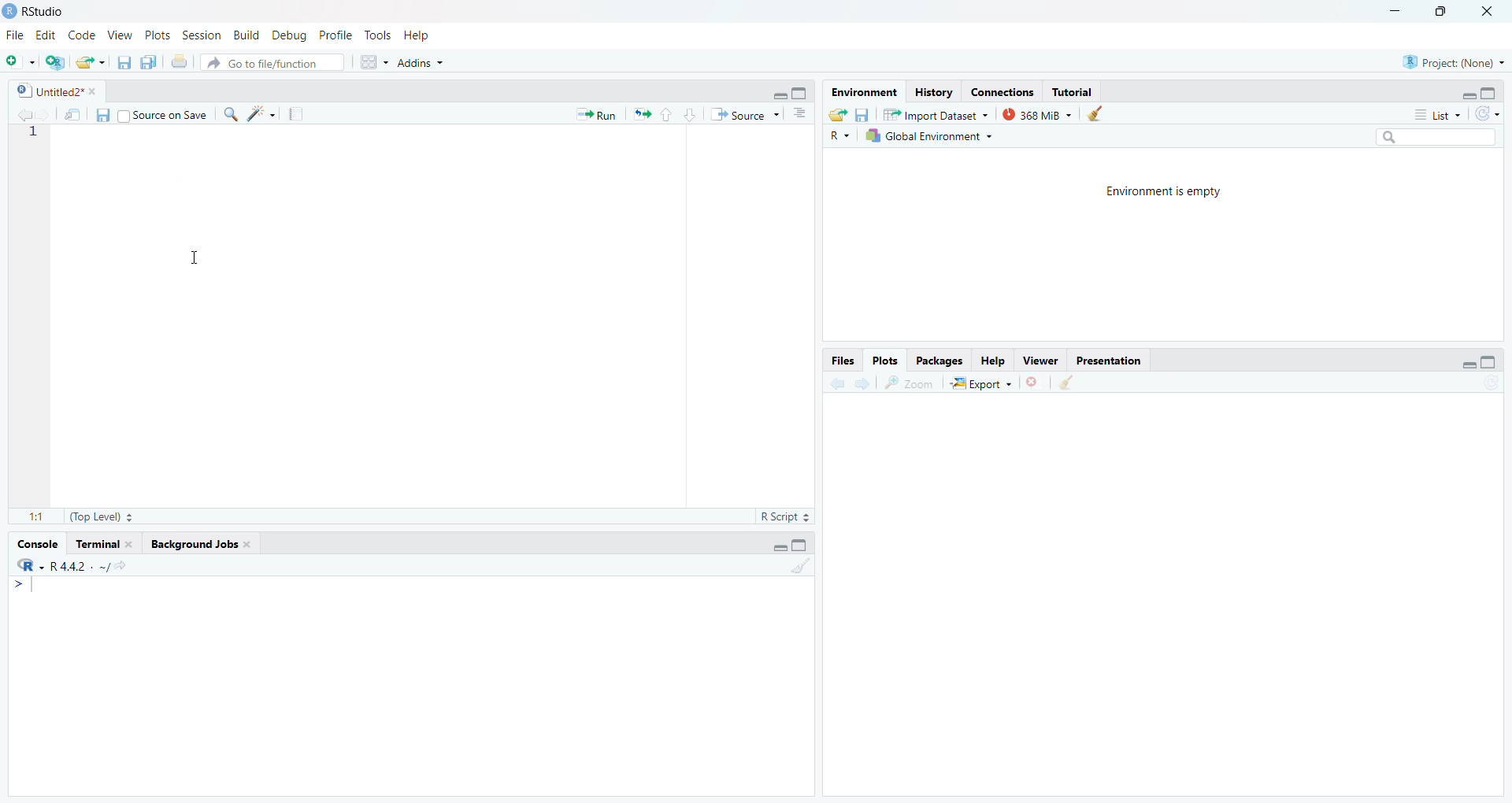 Image resolution: width=1512 pixels, height=803 pixels. What do you see at coordinates (669, 117) in the screenshot?
I see `upward` at bounding box center [669, 117].